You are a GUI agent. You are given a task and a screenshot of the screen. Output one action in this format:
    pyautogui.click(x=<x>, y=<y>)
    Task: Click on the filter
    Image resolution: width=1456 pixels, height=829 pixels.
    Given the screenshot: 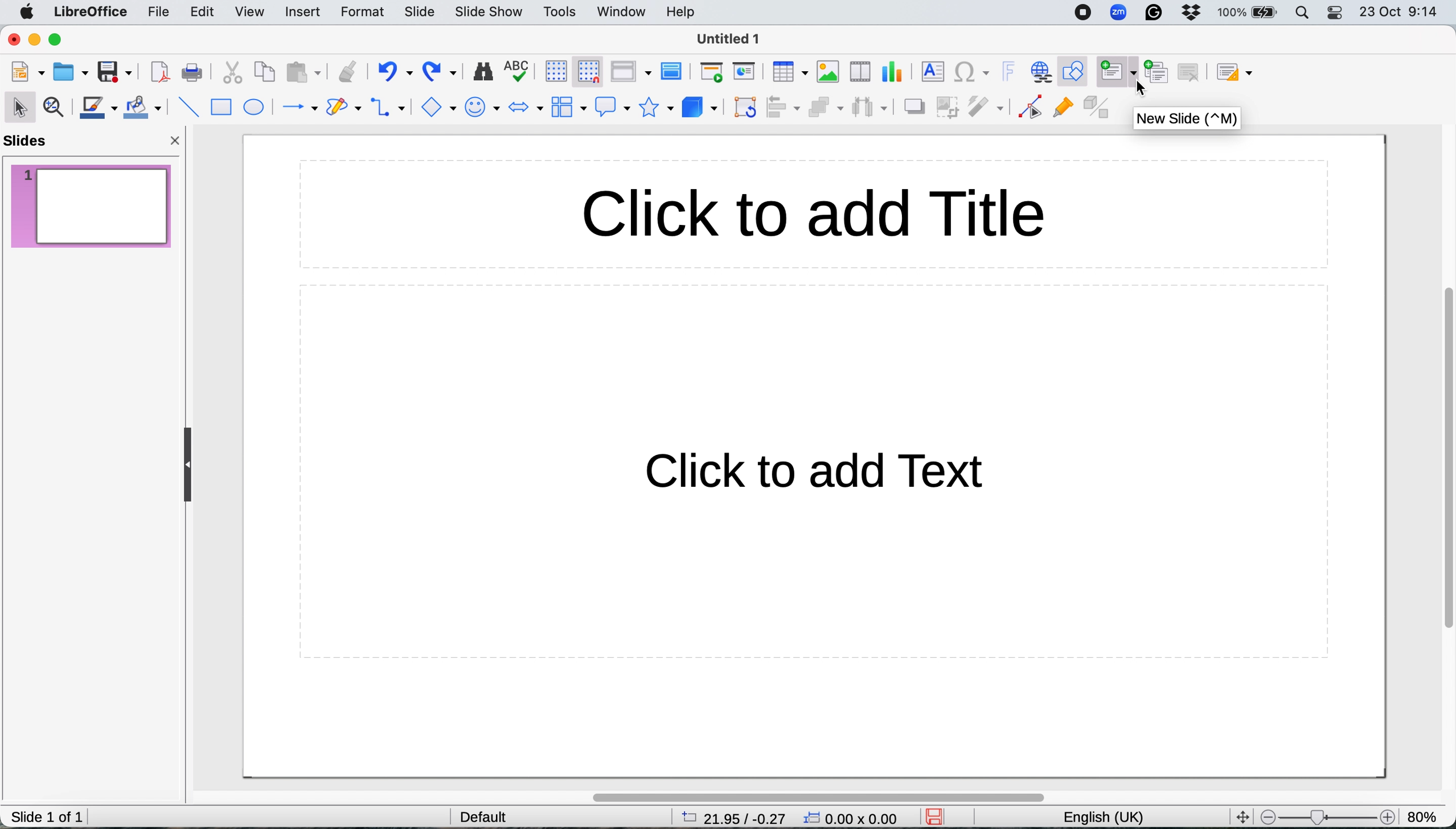 What is the action you would take?
    pyautogui.click(x=984, y=106)
    